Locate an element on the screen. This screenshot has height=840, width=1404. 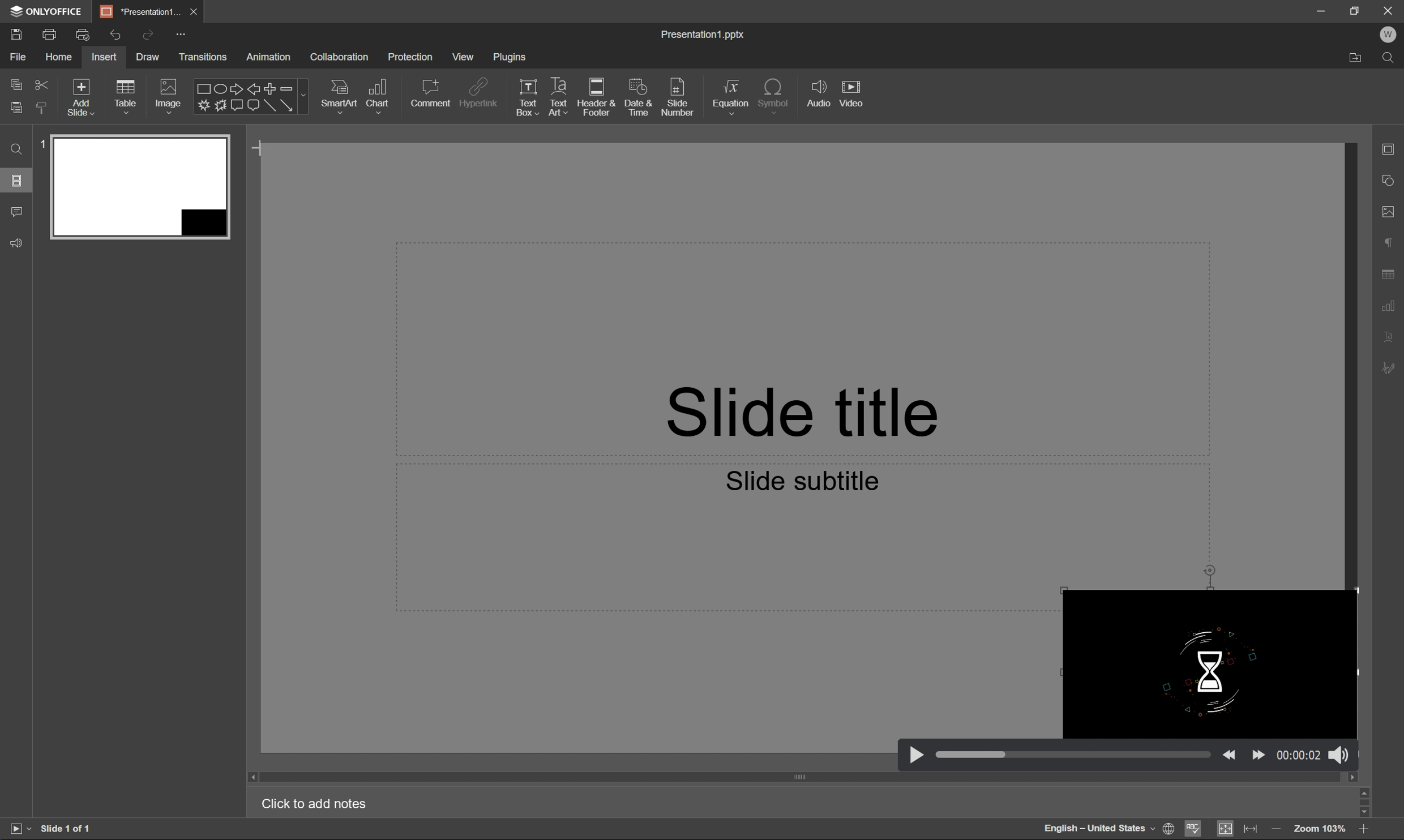
animation is located at coordinates (271, 57).